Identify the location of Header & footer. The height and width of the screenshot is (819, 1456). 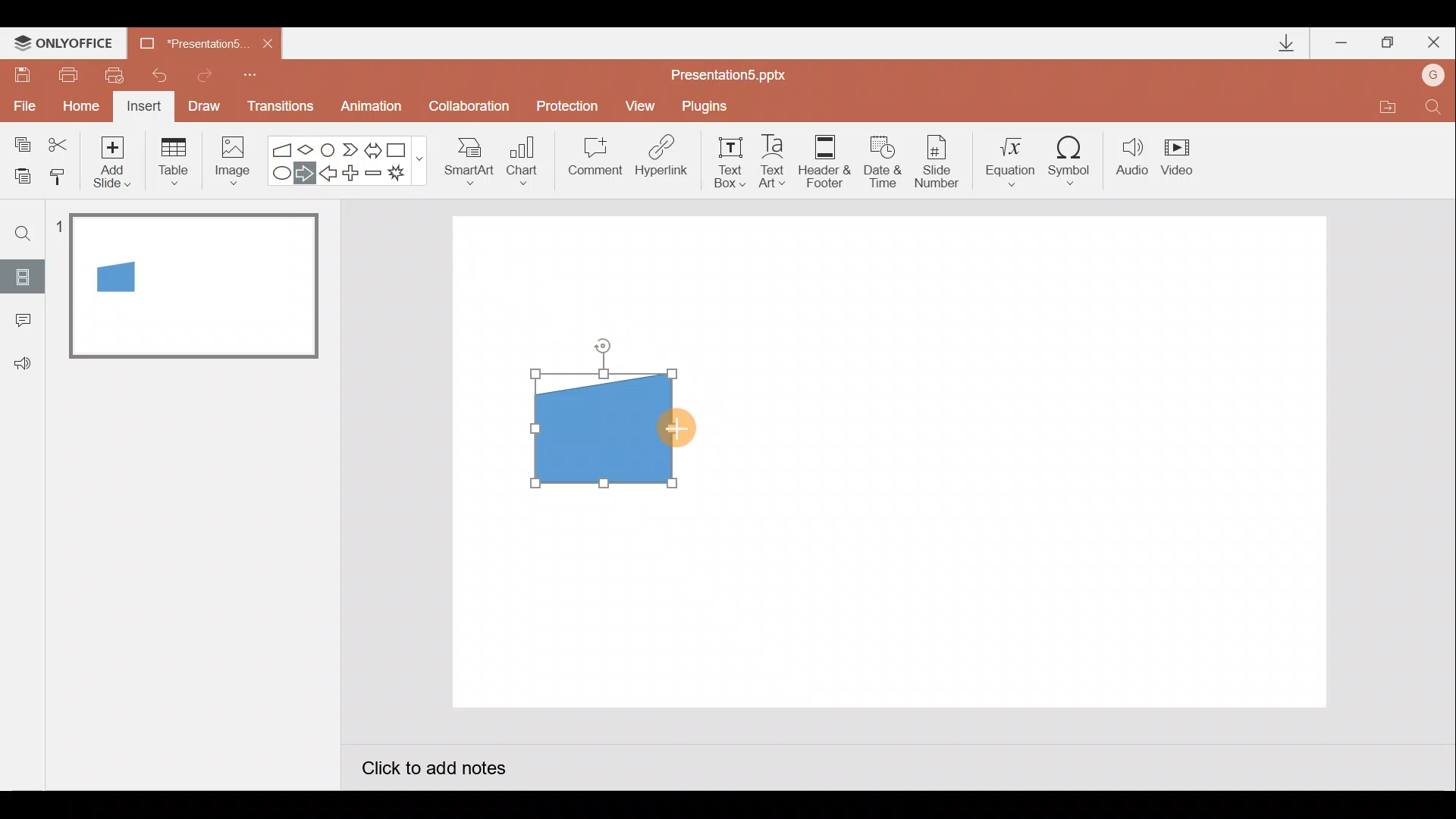
(824, 160).